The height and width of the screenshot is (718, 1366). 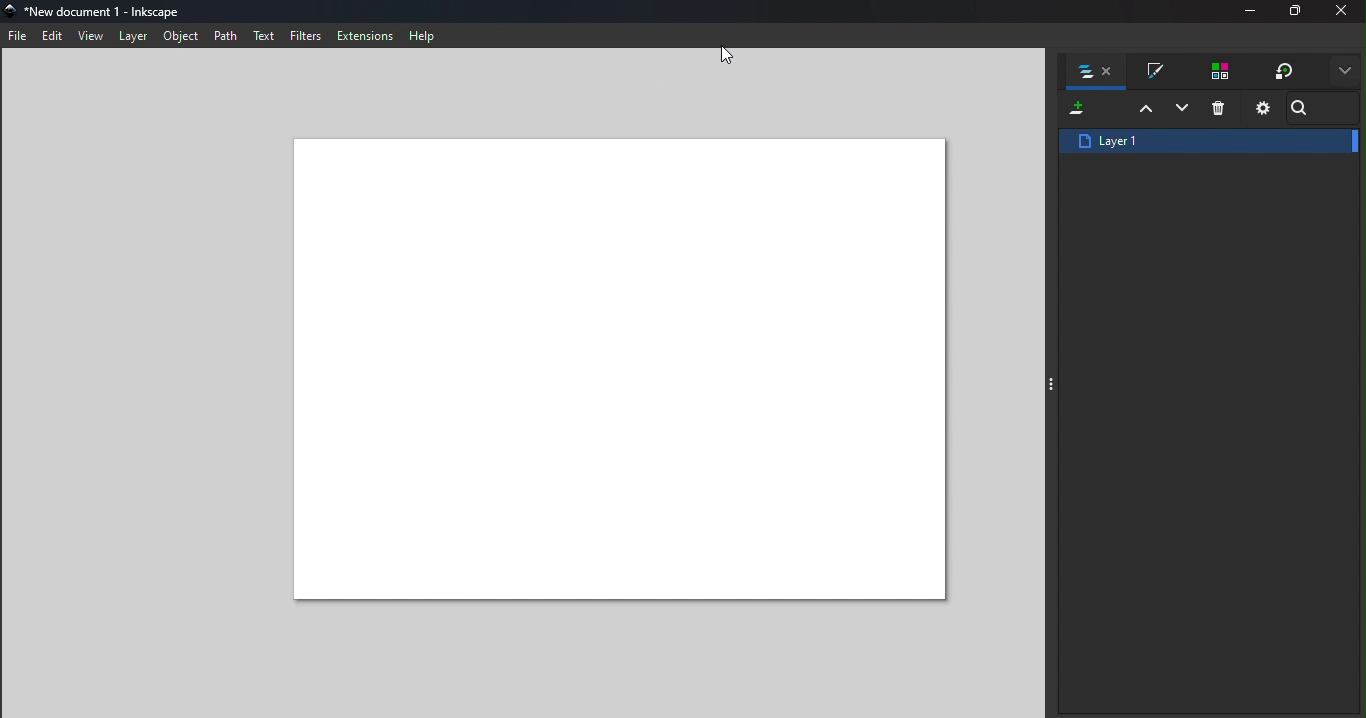 What do you see at coordinates (365, 33) in the screenshot?
I see `Extensions` at bounding box center [365, 33].